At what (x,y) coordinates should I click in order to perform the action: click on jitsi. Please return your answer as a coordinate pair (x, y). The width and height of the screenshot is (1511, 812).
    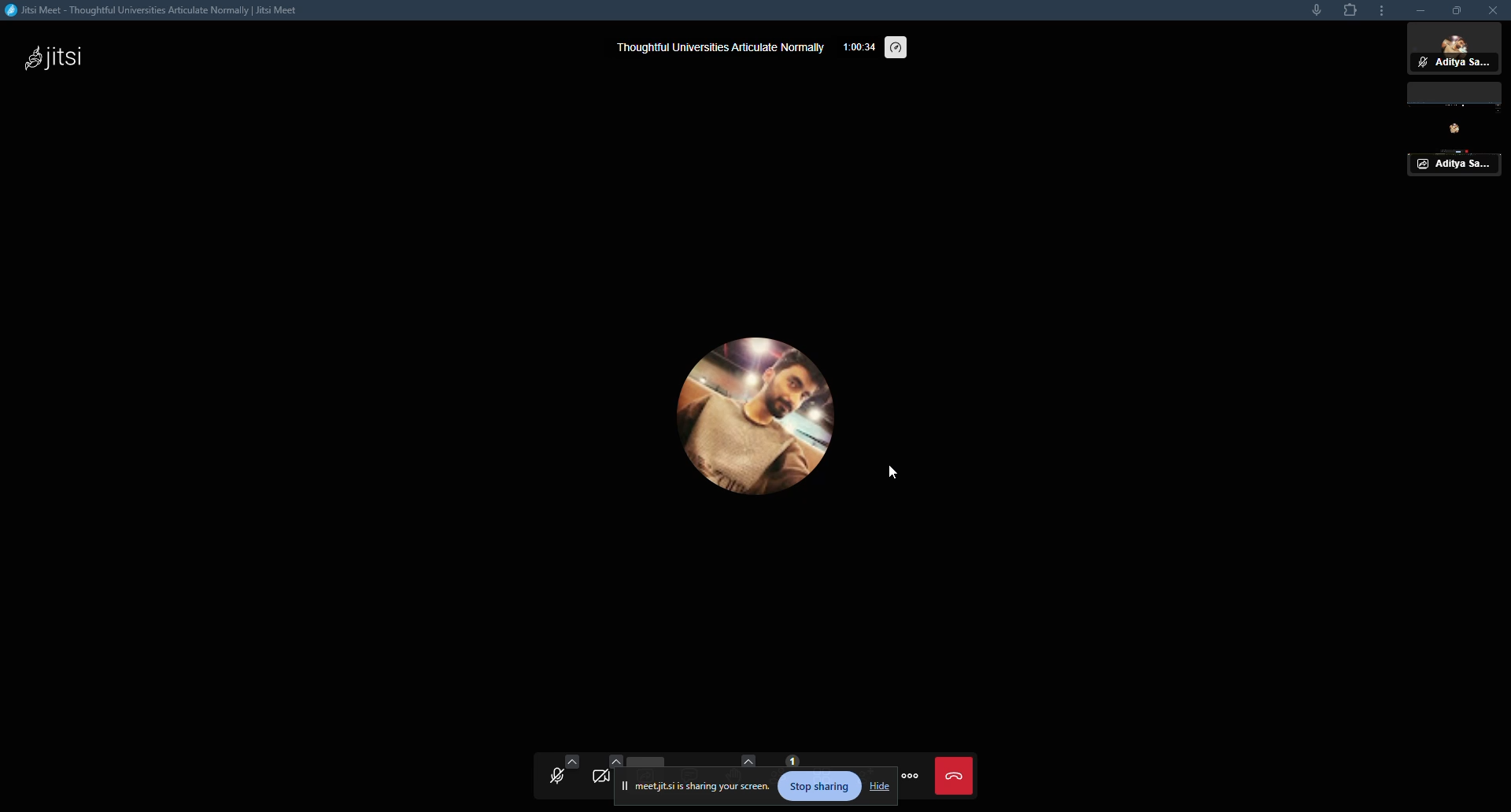
    Looking at the image, I should click on (55, 59).